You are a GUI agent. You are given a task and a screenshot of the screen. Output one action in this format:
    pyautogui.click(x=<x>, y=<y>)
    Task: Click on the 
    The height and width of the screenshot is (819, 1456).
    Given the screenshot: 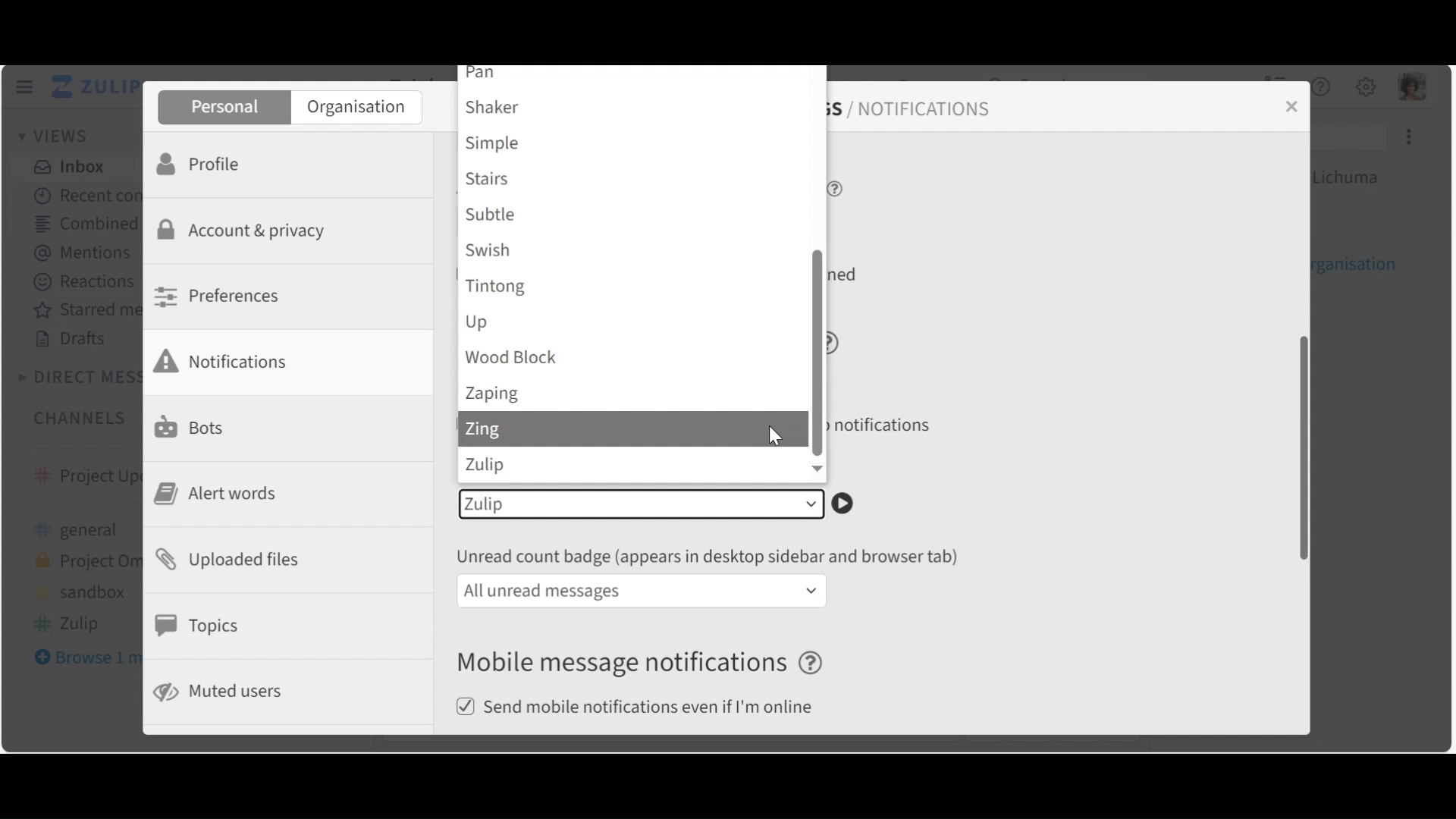 What is the action you would take?
    pyautogui.click(x=818, y=350)
    